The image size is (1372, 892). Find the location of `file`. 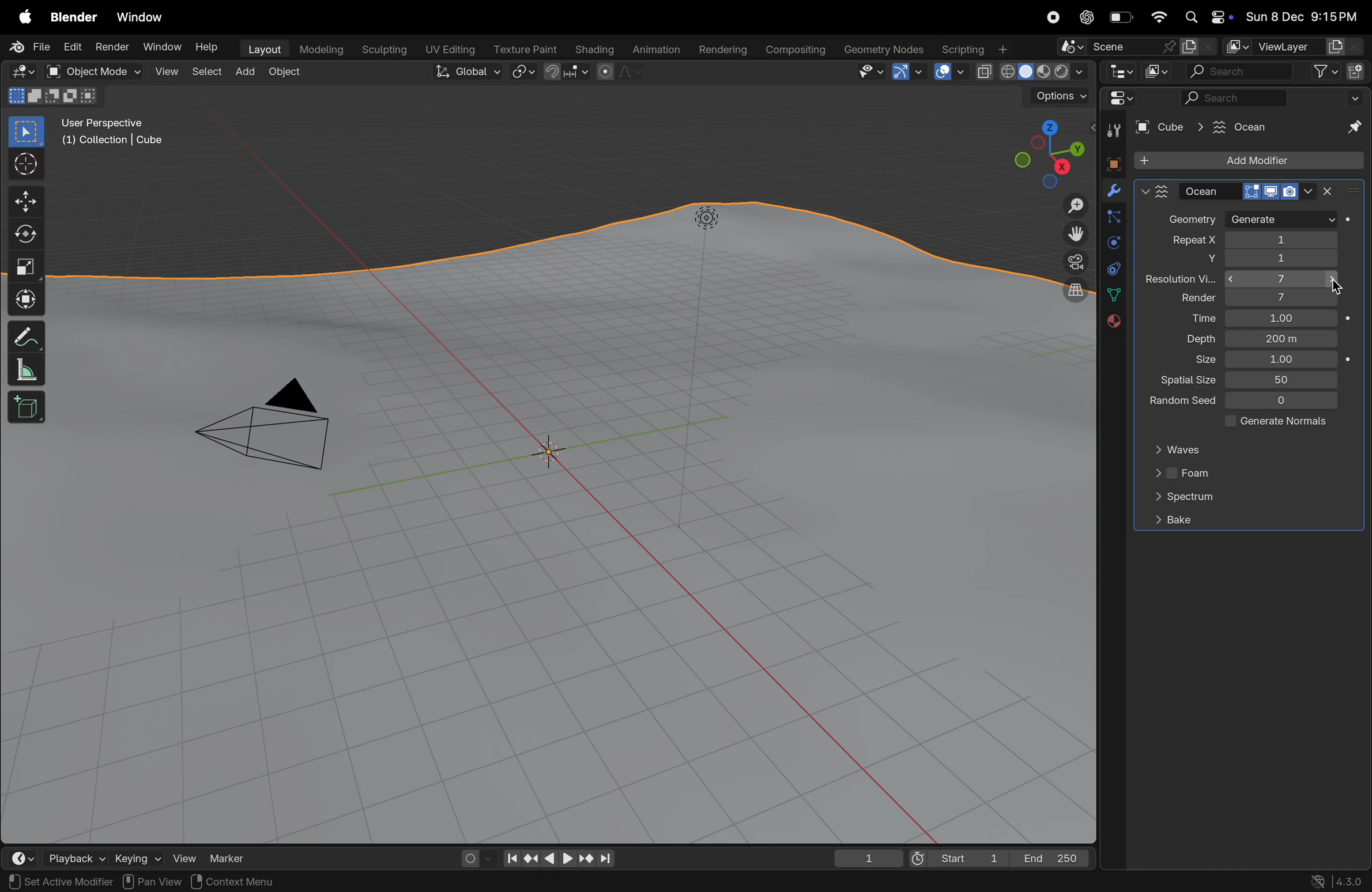

file is located at coordinates (32, 47).